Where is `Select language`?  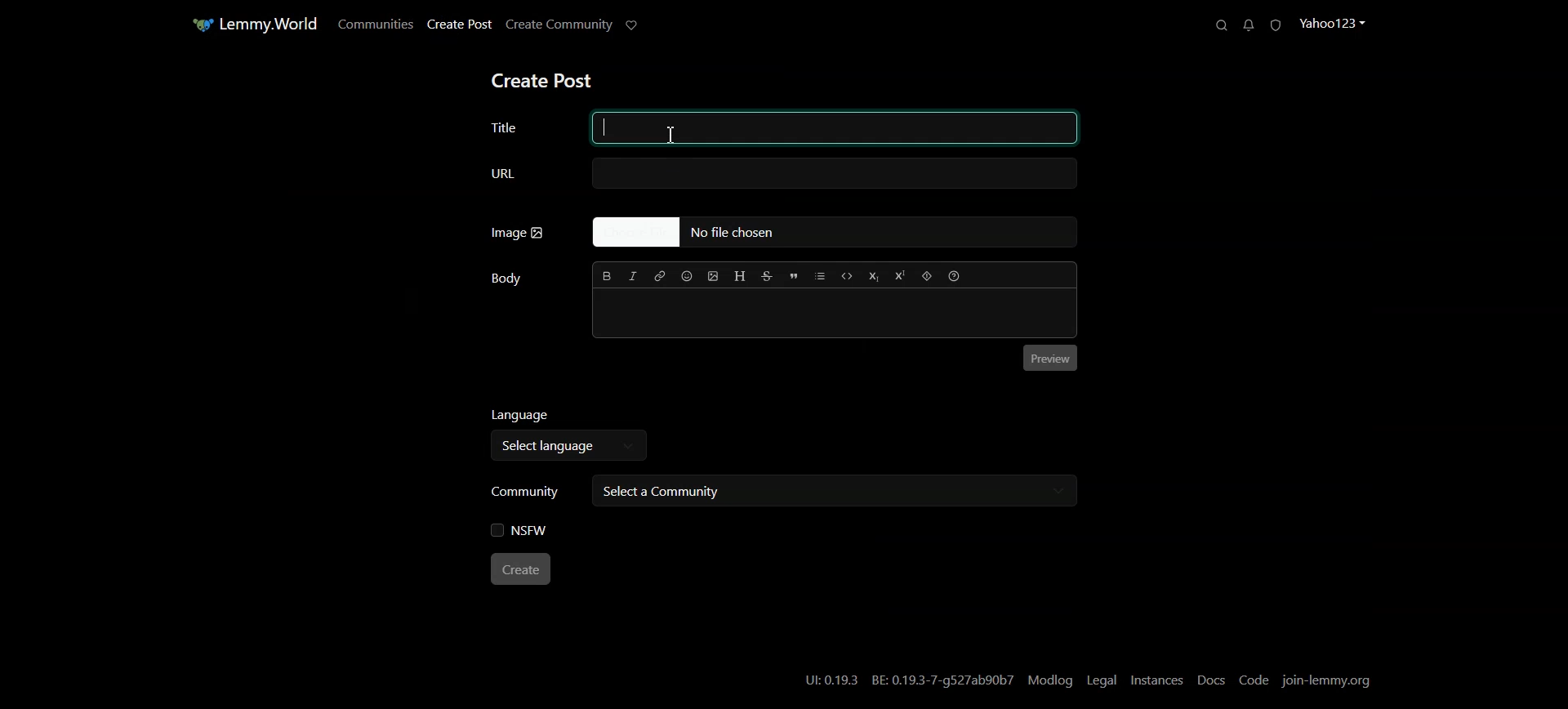
Select language is located at coordinates (563, 448).